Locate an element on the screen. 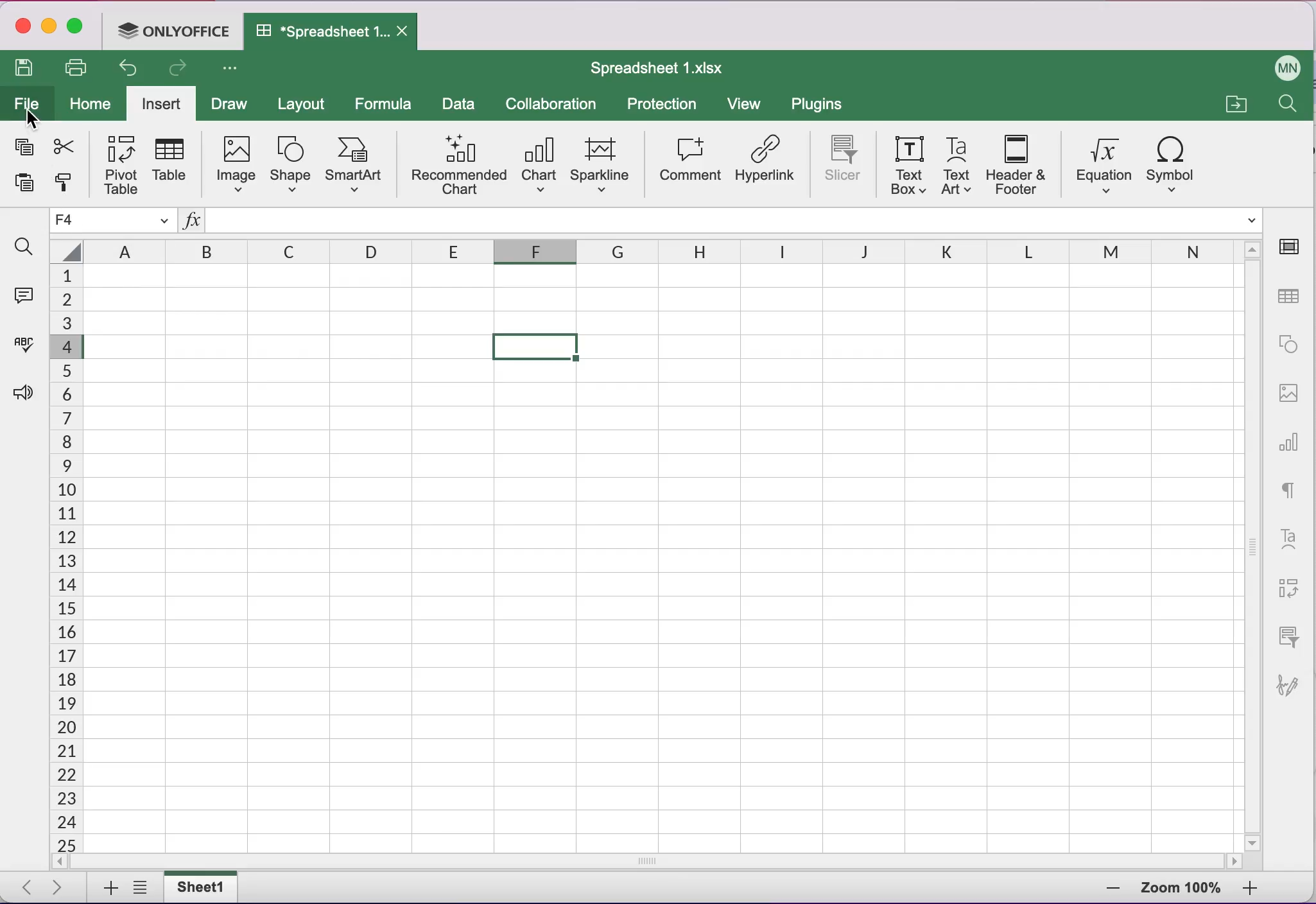 The width and height of the screenshot is (1316, 904). formula bar is located at coordinates (735, 219).